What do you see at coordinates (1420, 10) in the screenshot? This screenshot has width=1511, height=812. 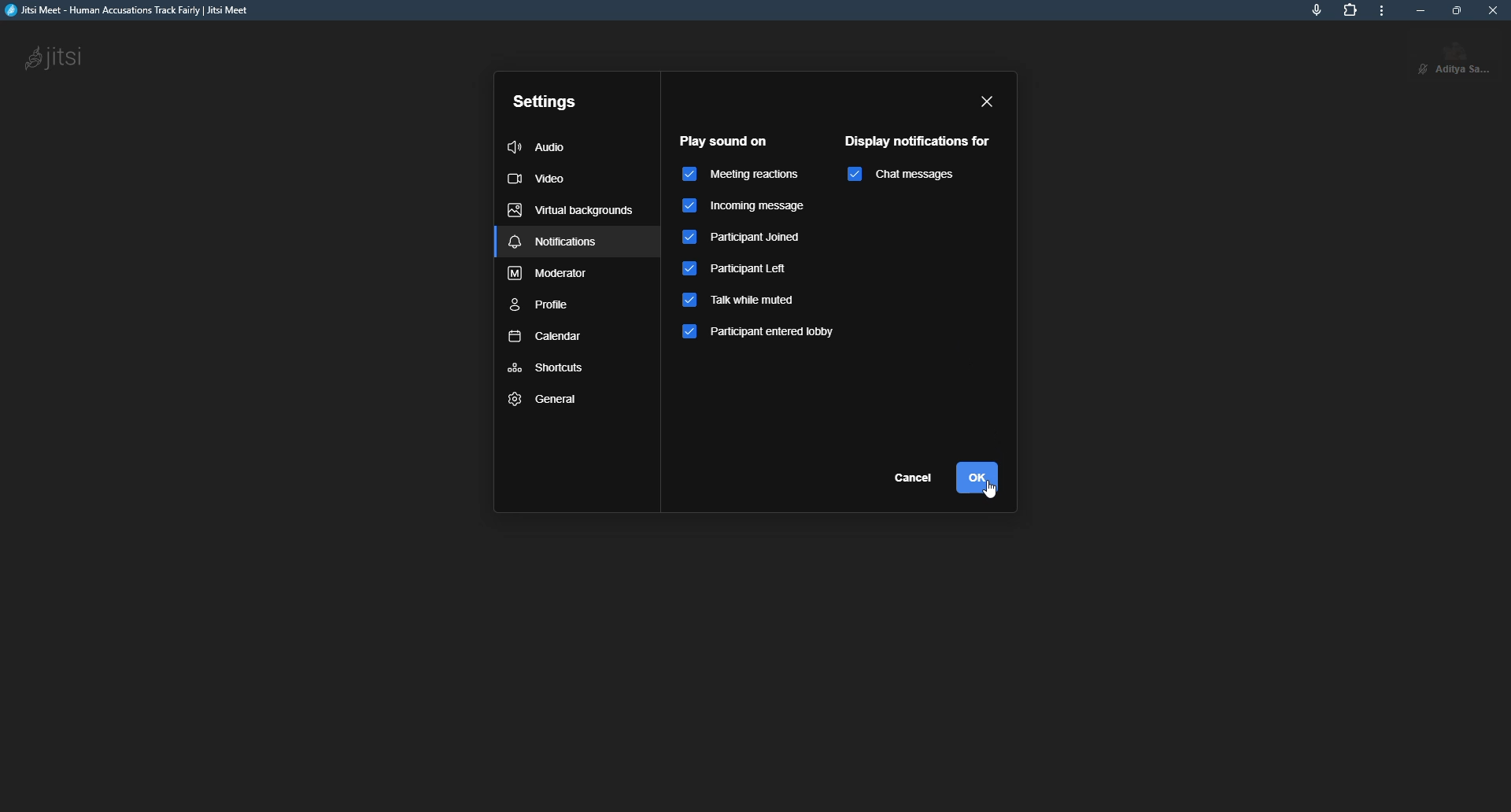 I see `minimize` at bounding box center [1420, 10].